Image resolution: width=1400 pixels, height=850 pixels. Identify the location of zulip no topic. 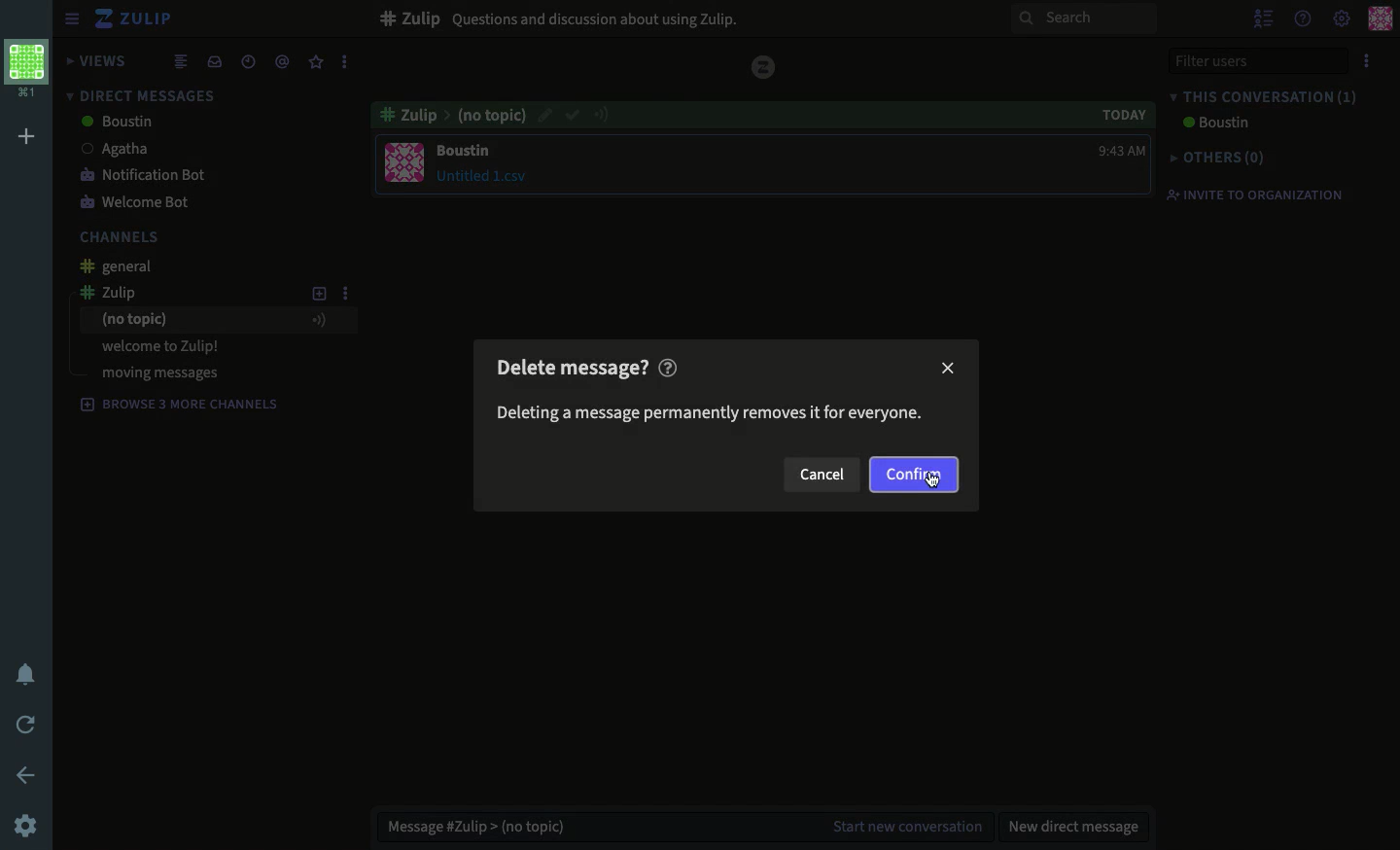
(452, 114).